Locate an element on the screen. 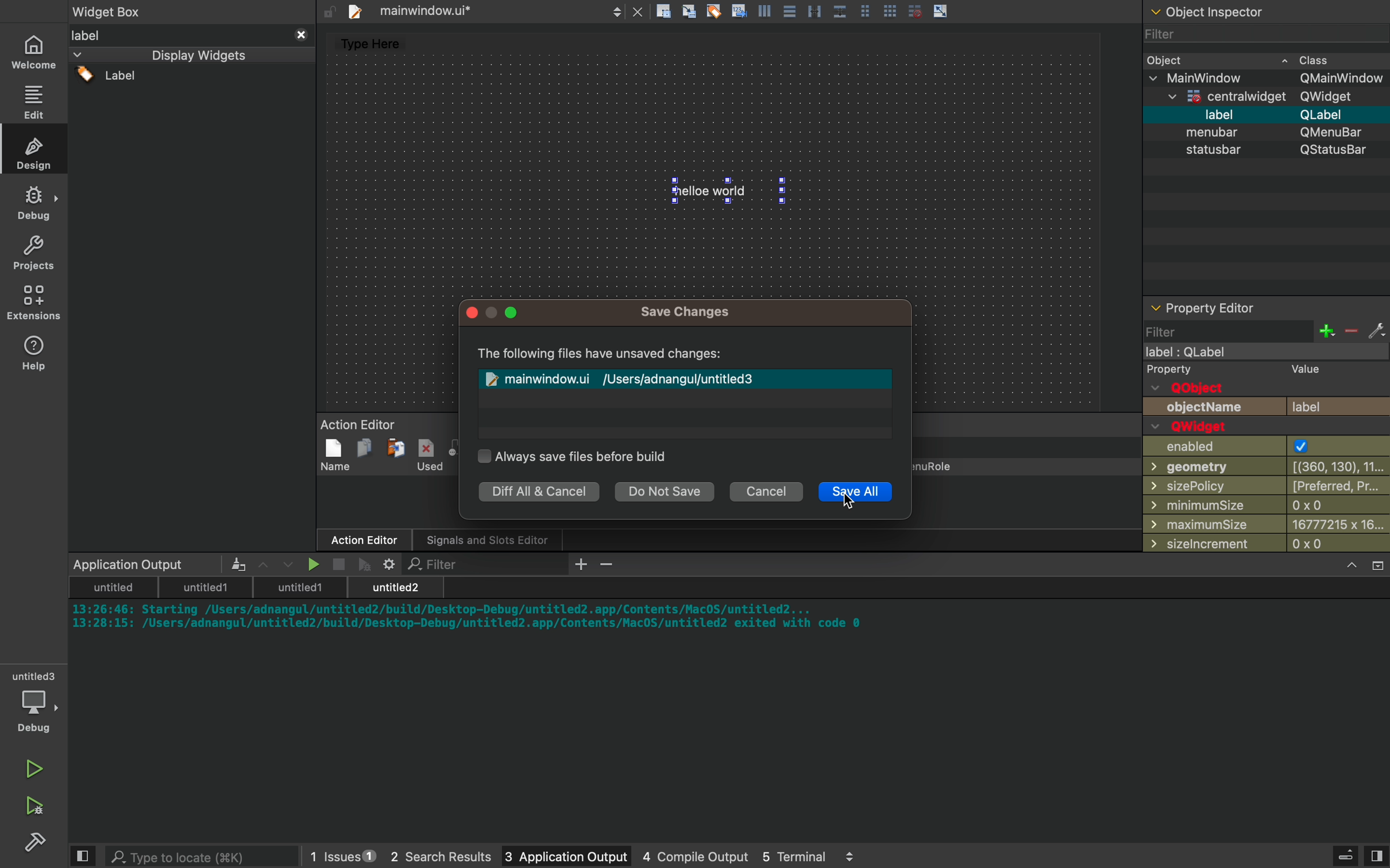 The image size is (1390, 868). files is located at coordinates (481, 11).